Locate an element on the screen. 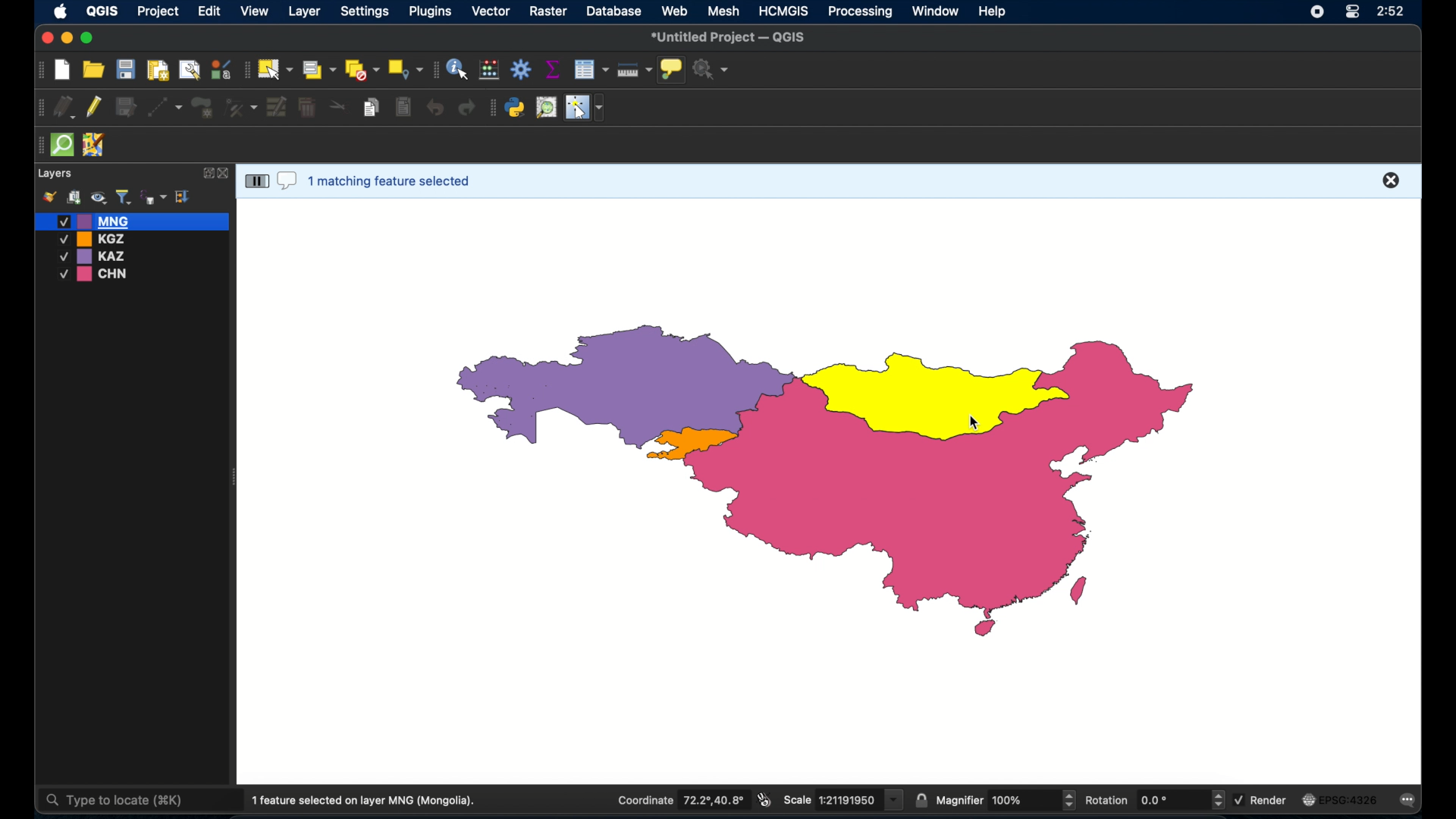 The width and height of the screenshot is (1456, 819). select by location is located at coordinates (406, 70).